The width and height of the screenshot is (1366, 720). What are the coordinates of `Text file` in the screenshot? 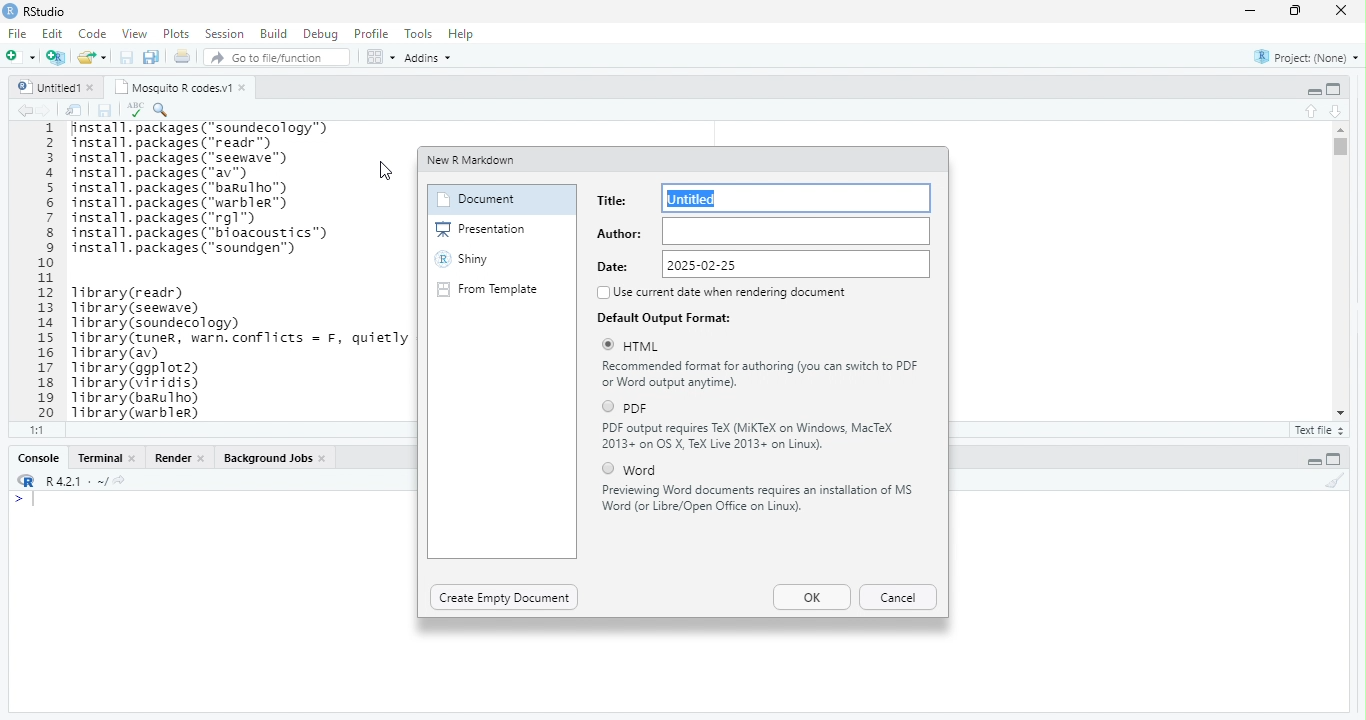 It's located at (1322, 431).